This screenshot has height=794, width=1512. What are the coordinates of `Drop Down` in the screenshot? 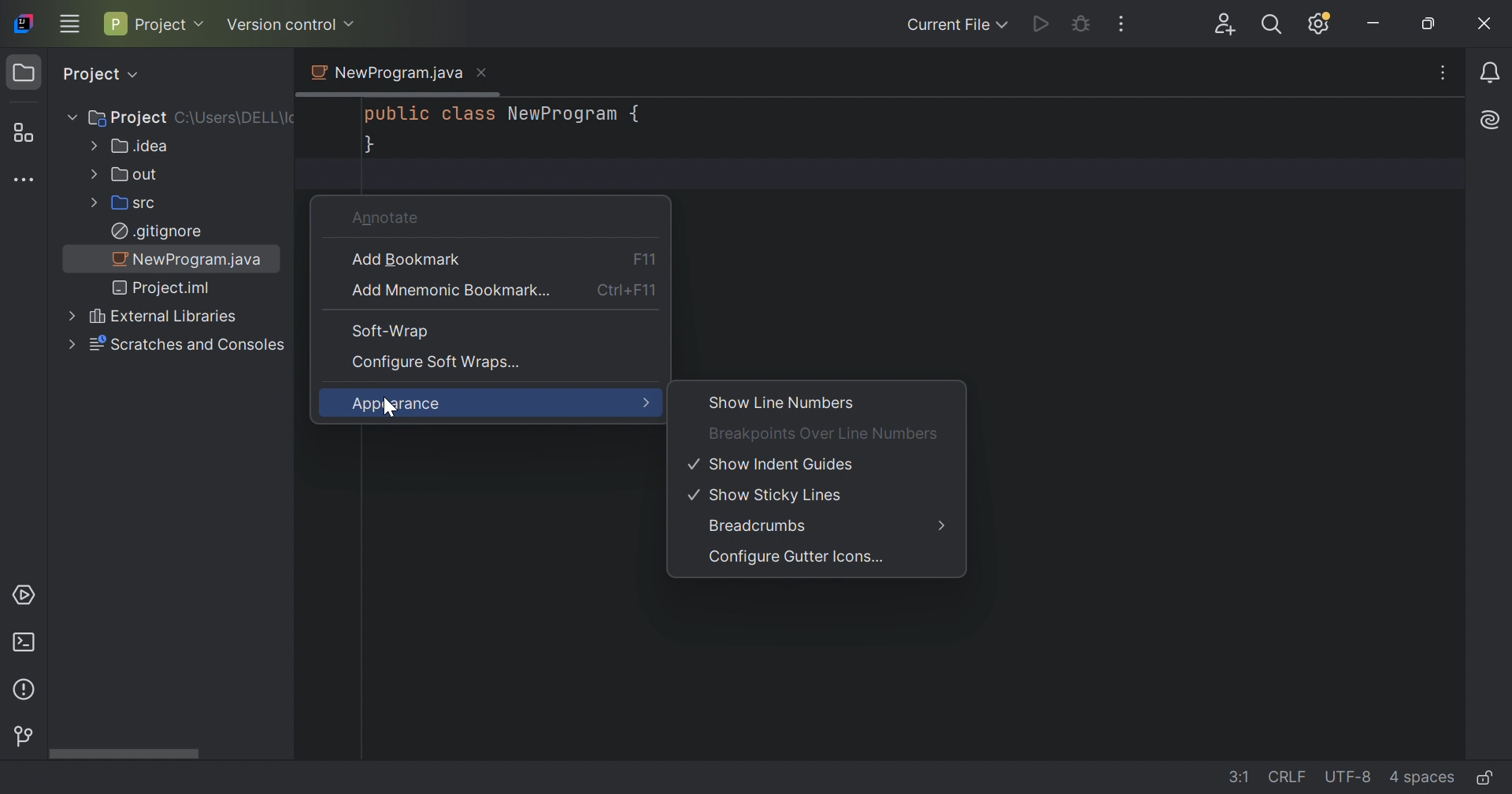 It's located at (139, 76).